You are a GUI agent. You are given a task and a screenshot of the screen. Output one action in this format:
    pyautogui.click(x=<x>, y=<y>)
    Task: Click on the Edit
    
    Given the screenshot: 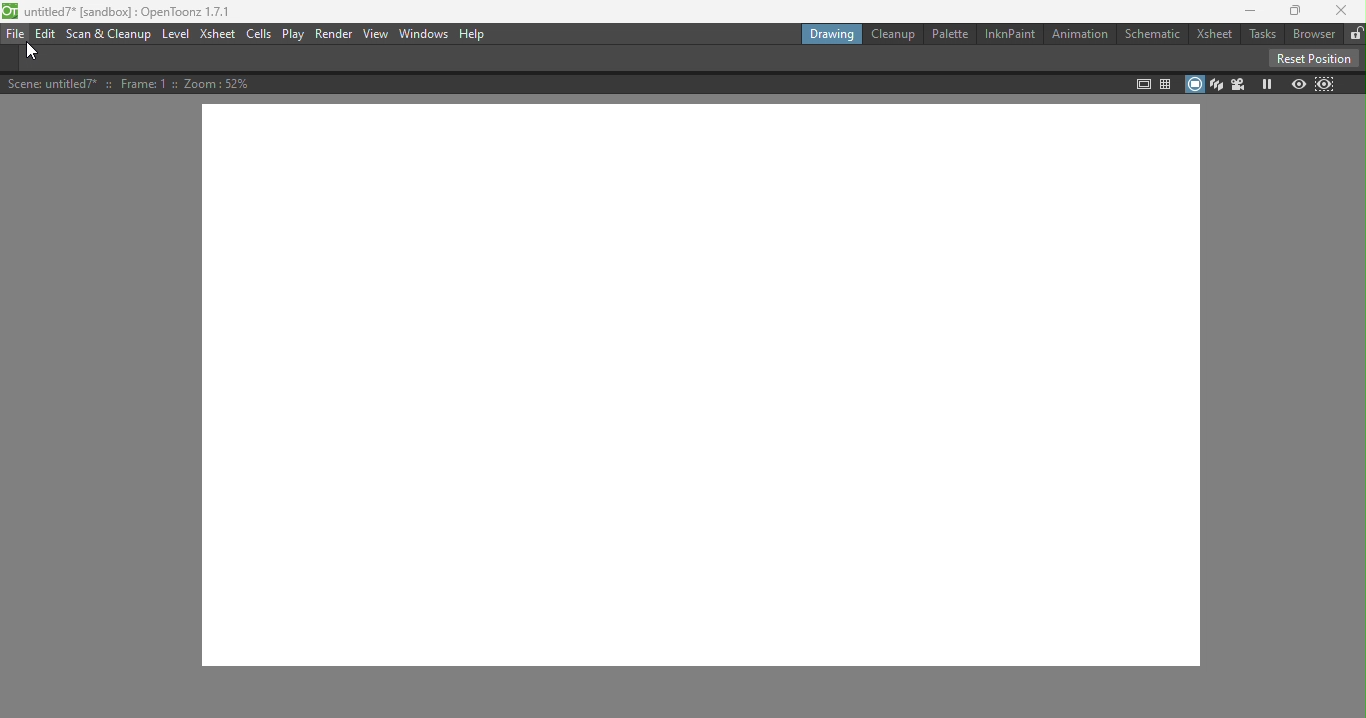 What is the action you would take?
    pyautogui.click(x=46, y=35)
    